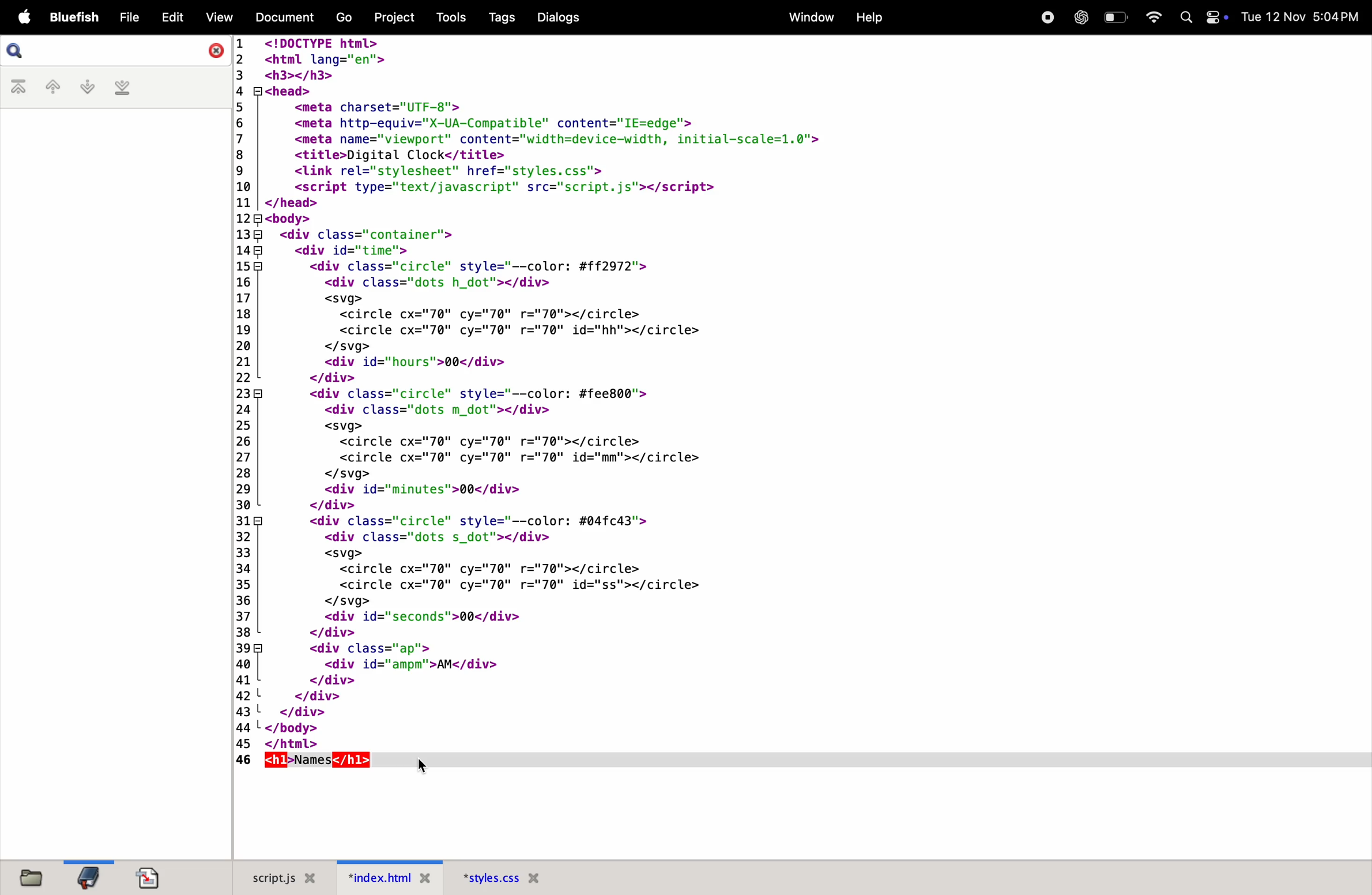 The width and height of the screenshot is (1372, 895). I want to click on style.css, so click(497, 875).